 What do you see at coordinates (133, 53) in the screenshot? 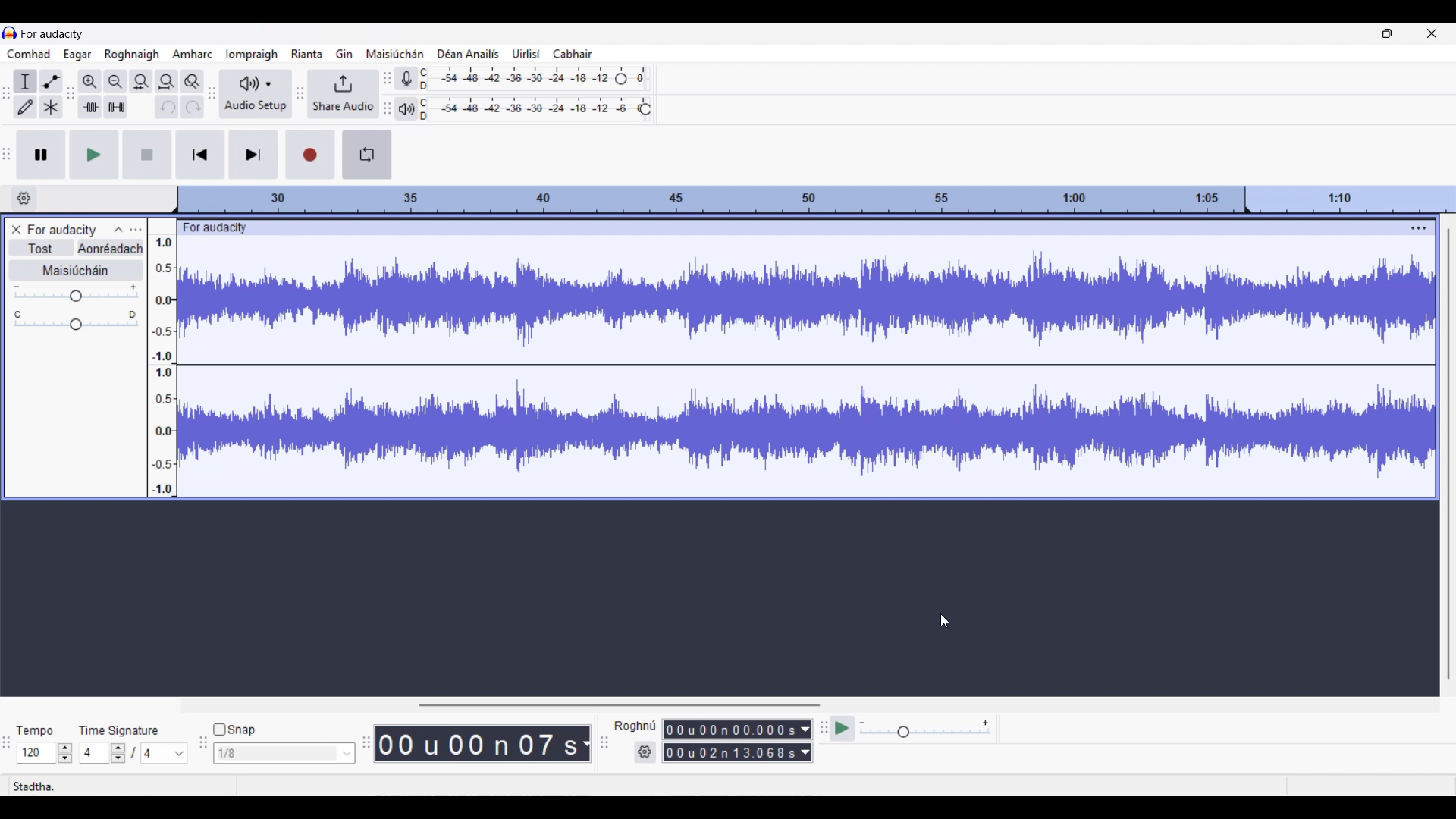
I see `Amharc lor` at bounding box center [133, 53].